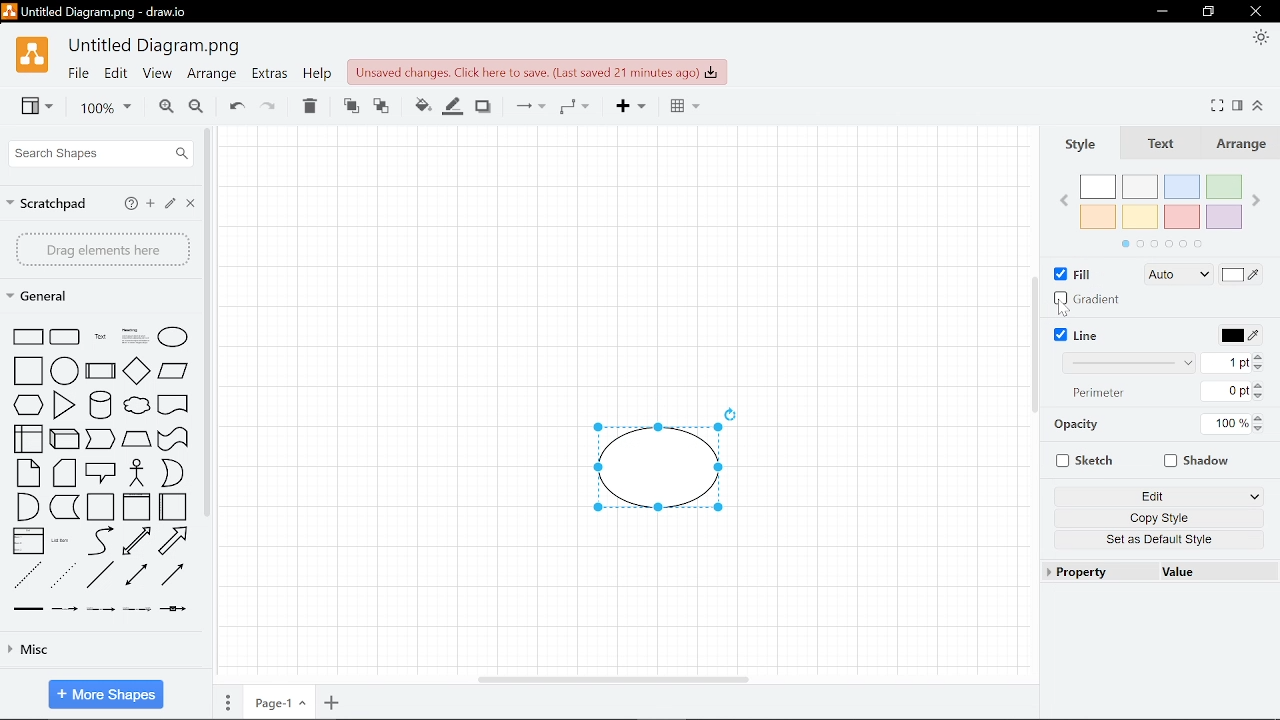  I want to click on Current opacity, so click(1226, 423).